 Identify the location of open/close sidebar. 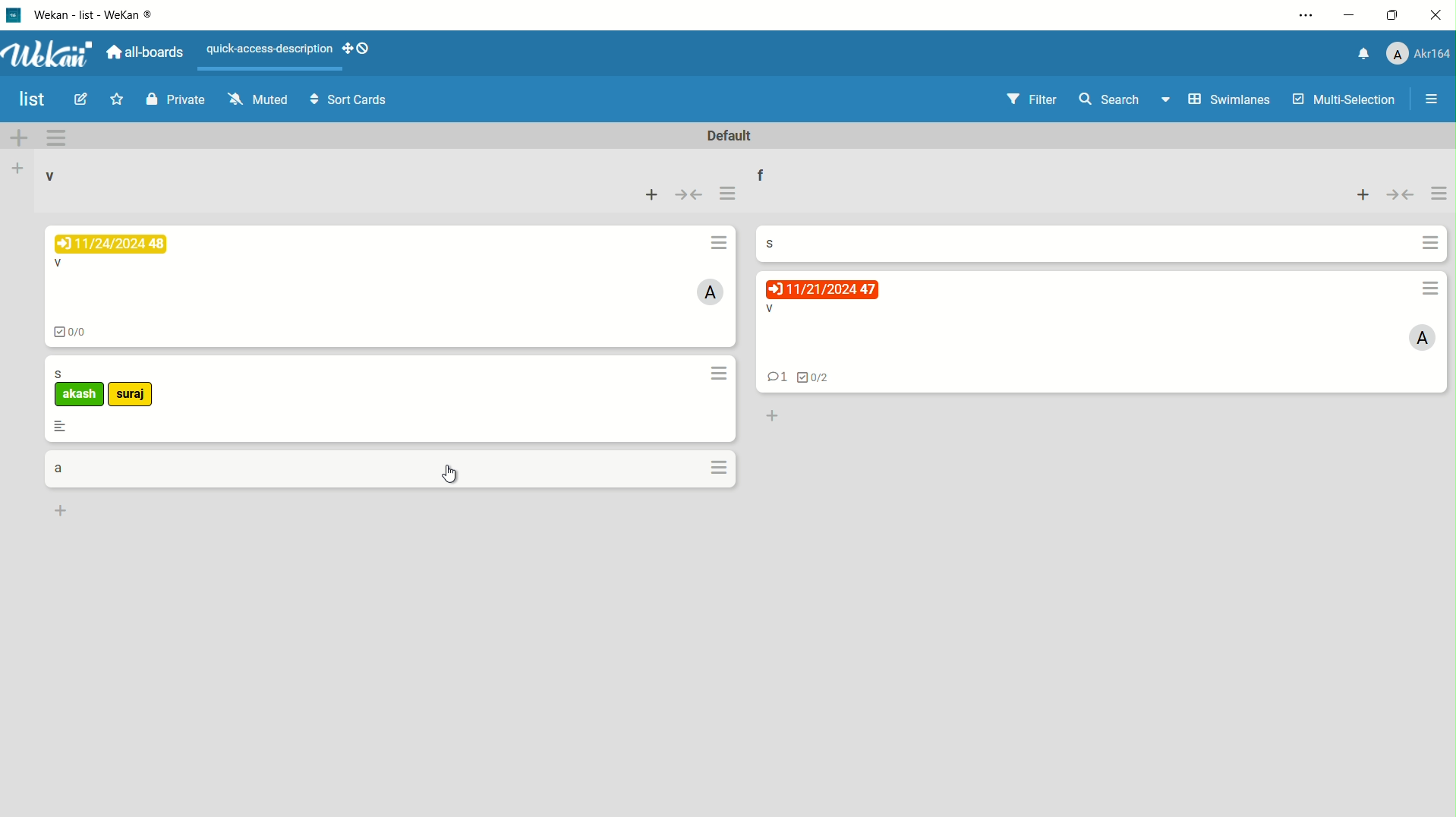
(1432, 99).